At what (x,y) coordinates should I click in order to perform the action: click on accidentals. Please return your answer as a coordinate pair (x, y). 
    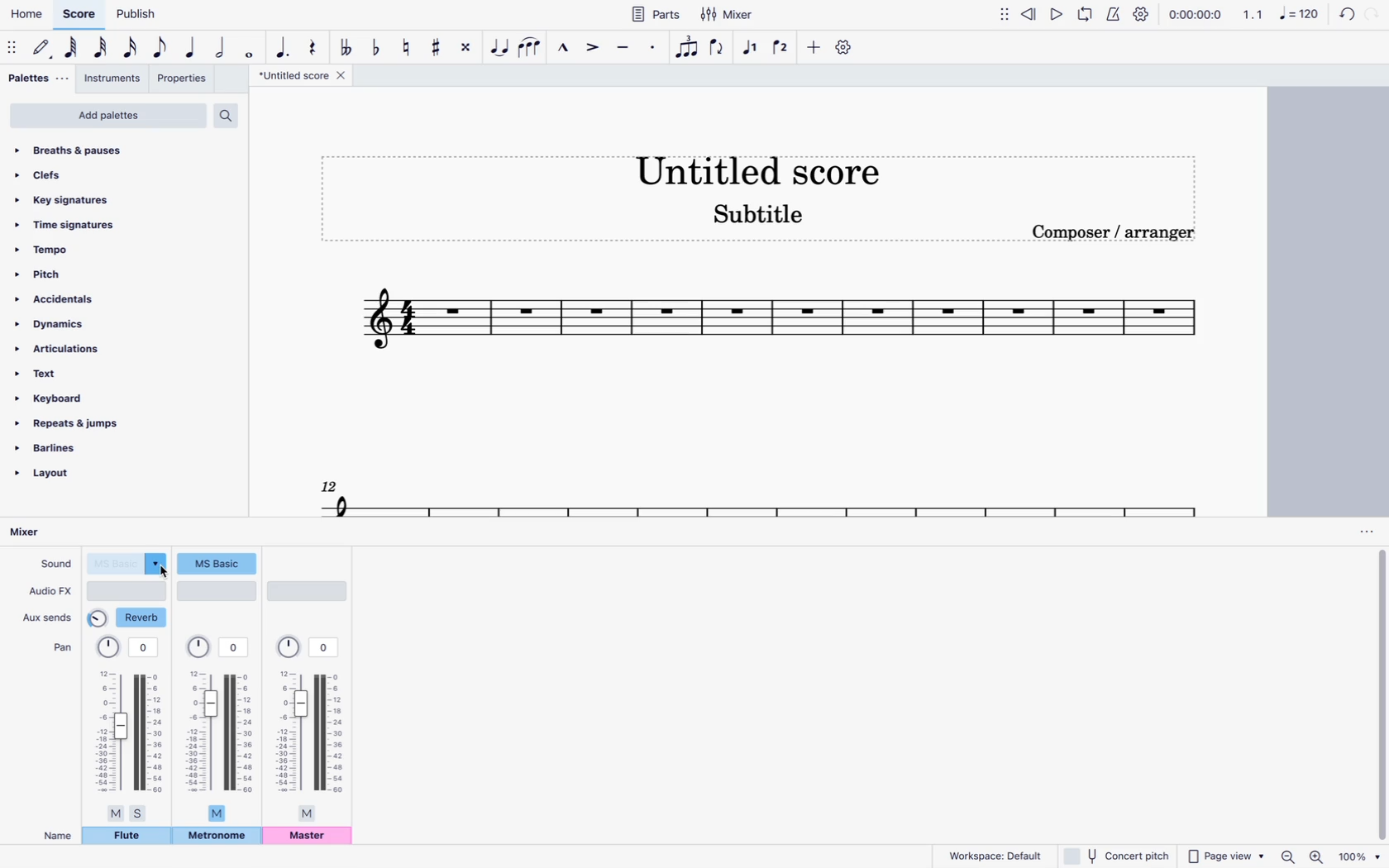
    Looking at the image, I should click on (63, 299).